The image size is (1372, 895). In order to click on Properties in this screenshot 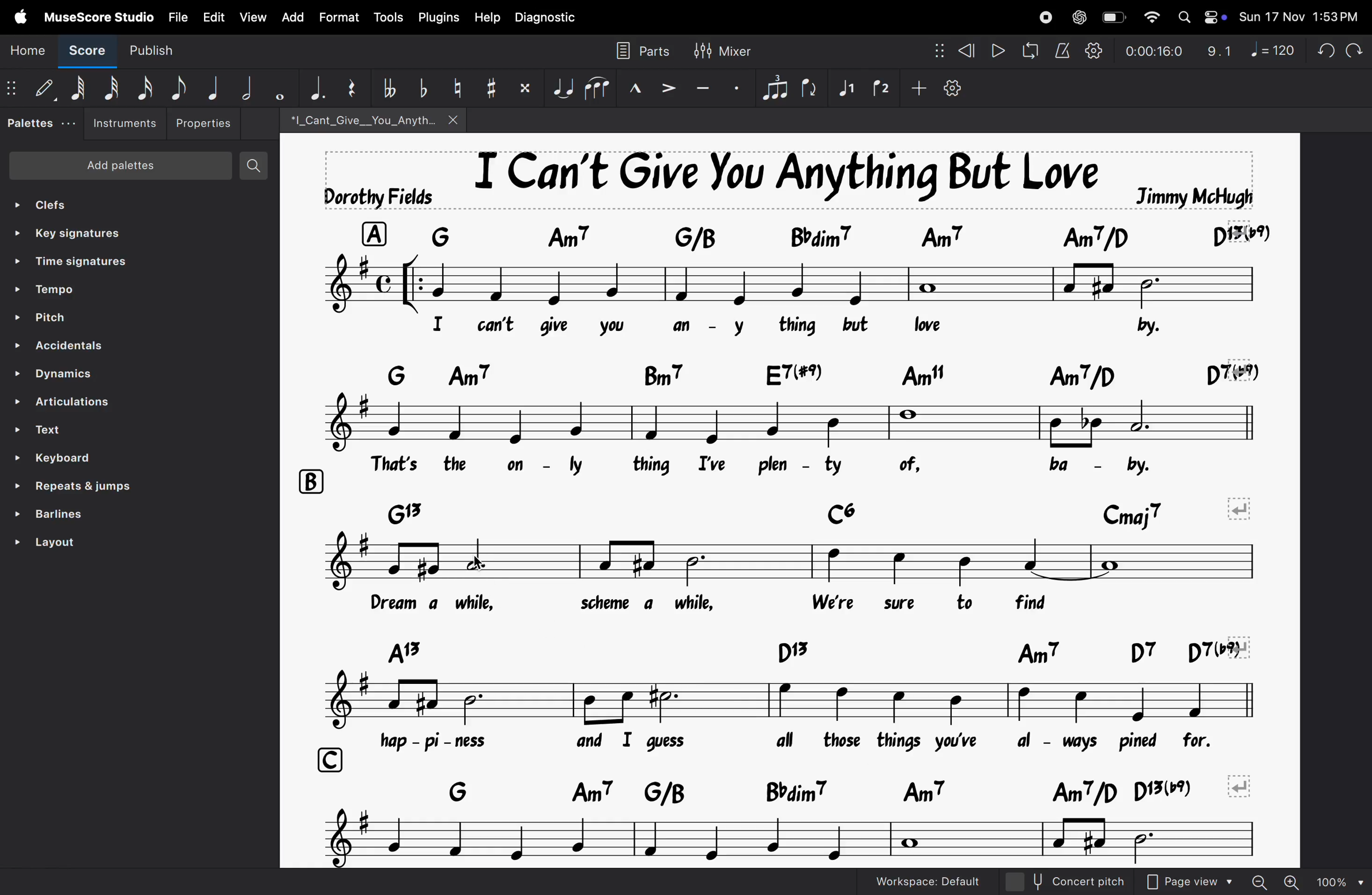, I will do `click(205, 123)`.